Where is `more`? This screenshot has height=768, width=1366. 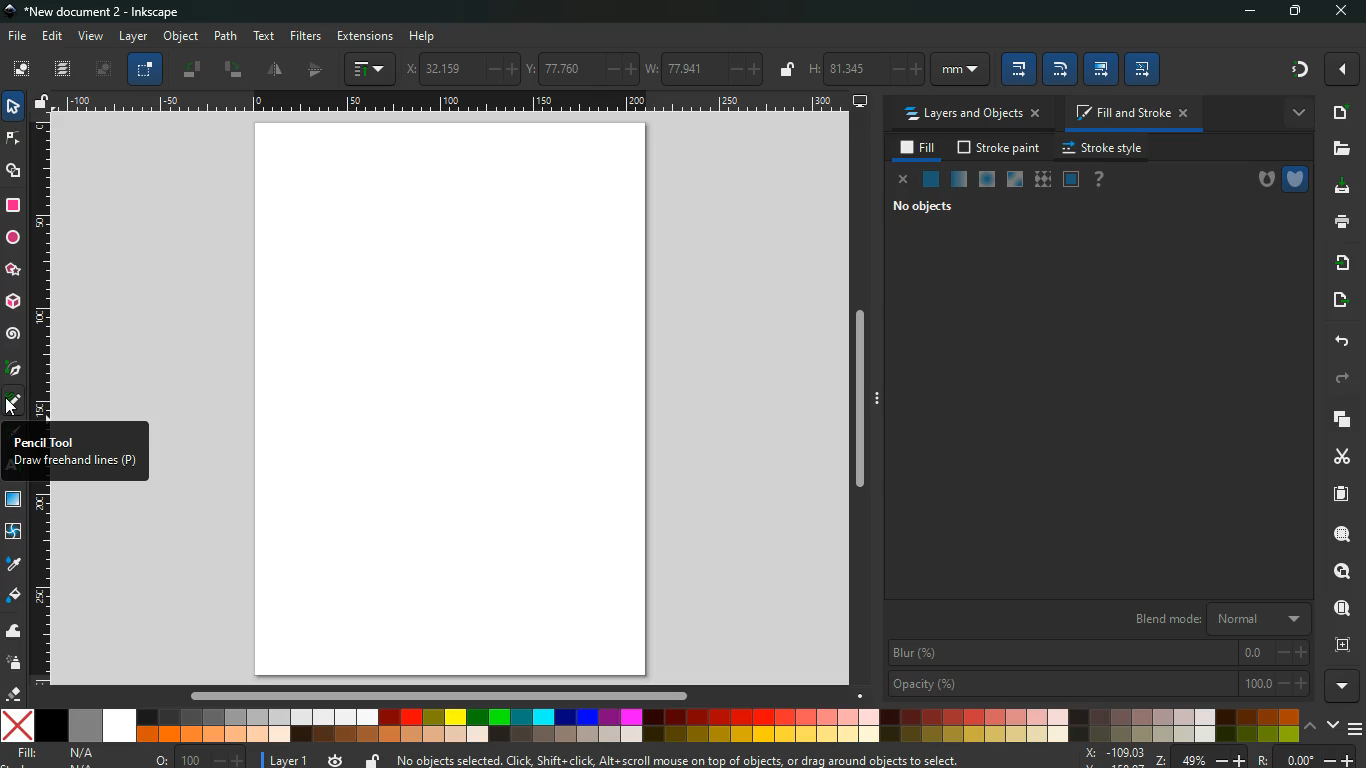
more is located at coordinates (1344, 686).